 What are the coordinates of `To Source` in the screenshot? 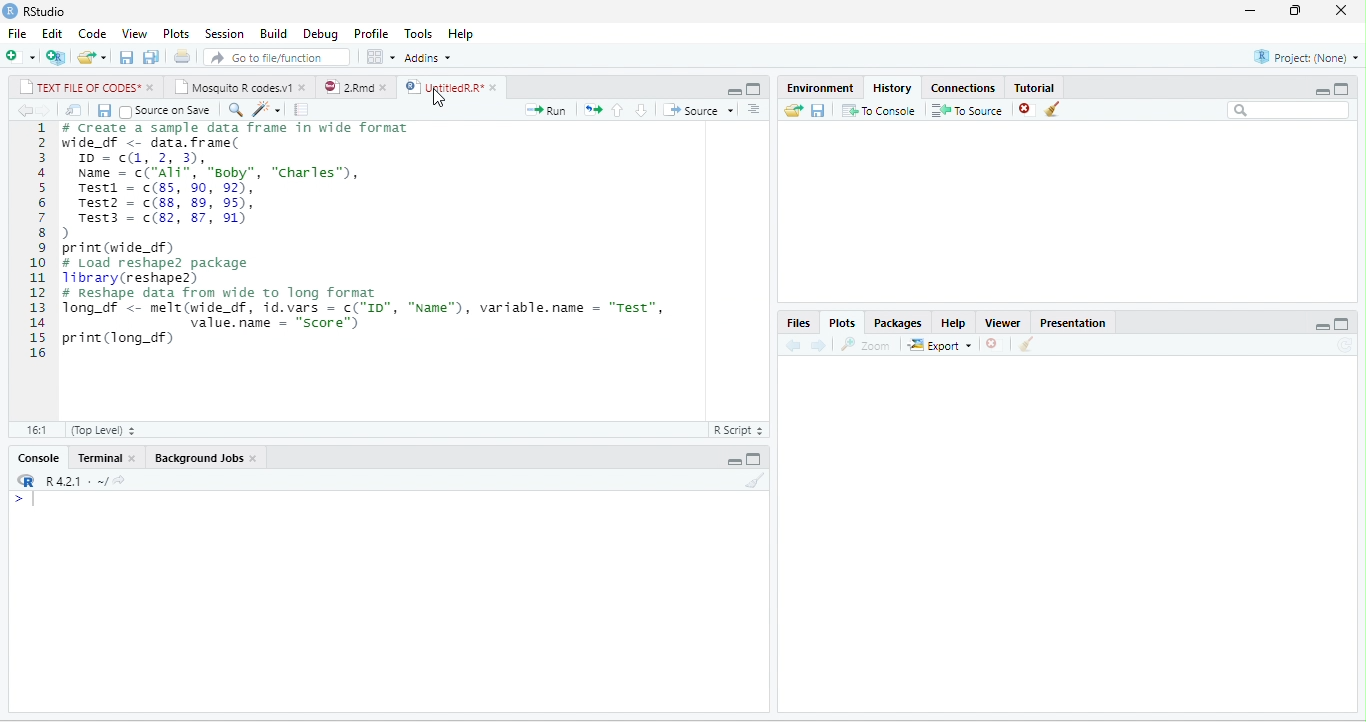 It's located at (968, 109).